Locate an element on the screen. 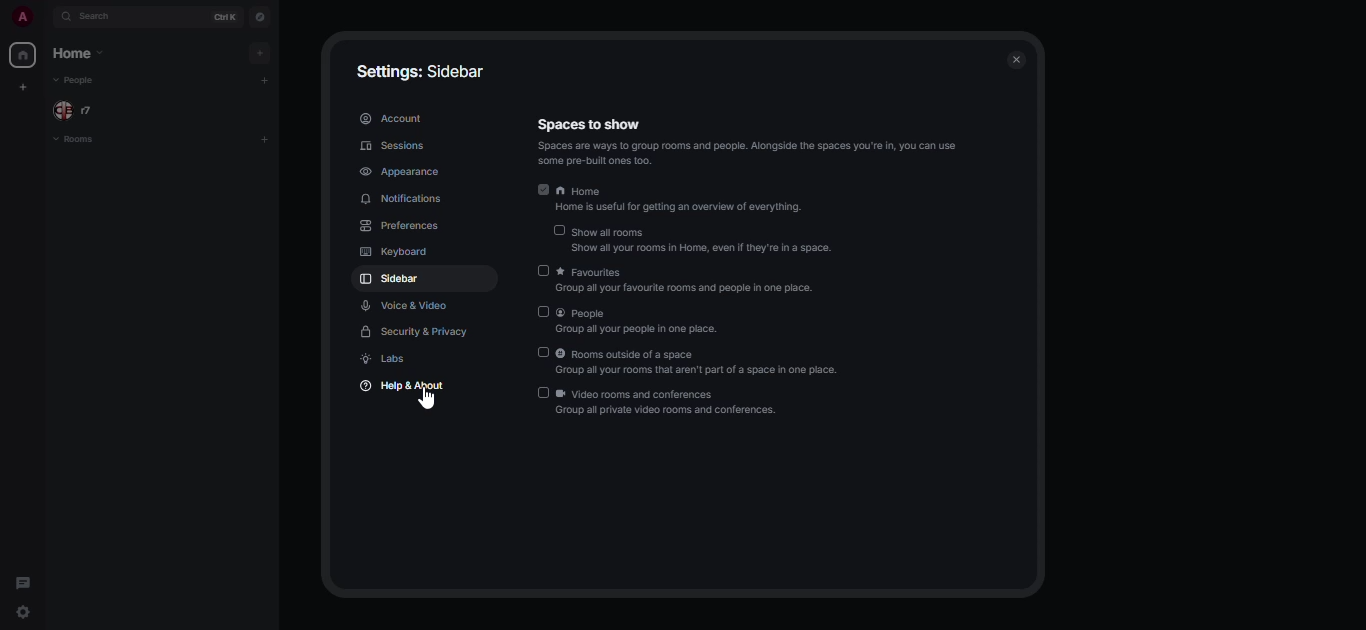 The image size is (1366, 630). home is located at coordinates (22, 54).